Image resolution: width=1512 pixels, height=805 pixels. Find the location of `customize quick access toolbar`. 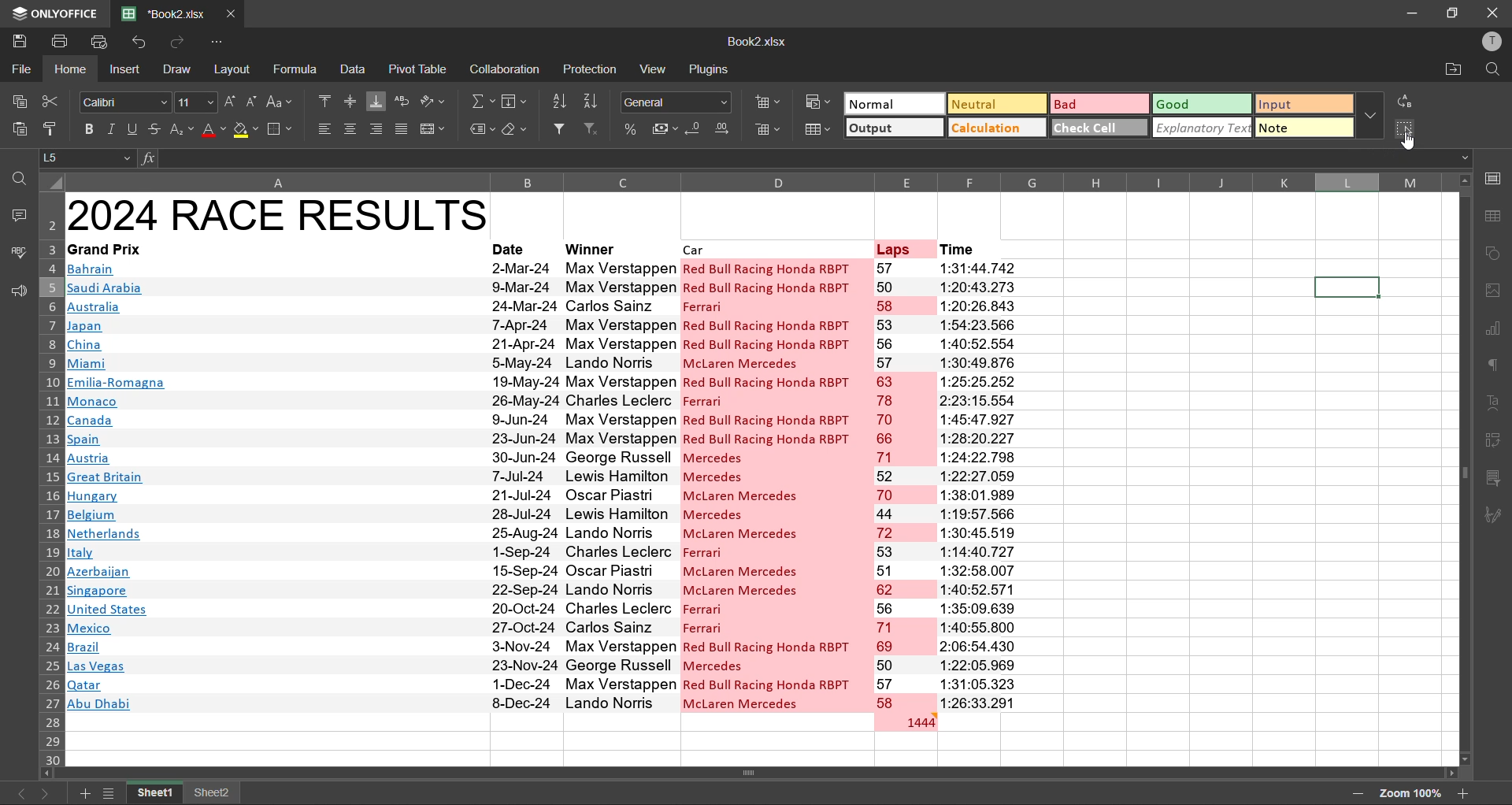

customize quick access toolbar is located at coordinates (219, 43).